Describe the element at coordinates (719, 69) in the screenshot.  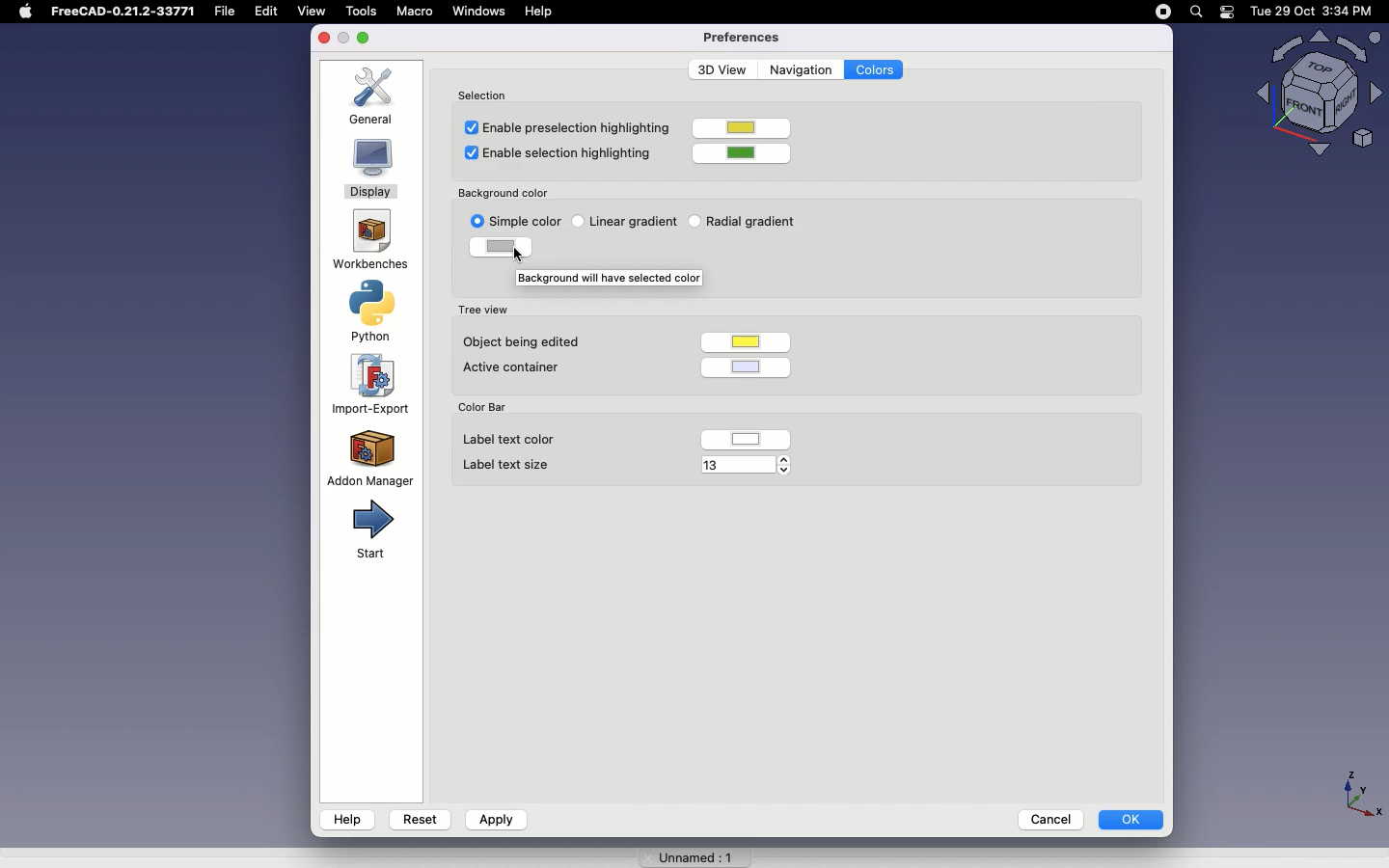
I see `3D View` at that location.